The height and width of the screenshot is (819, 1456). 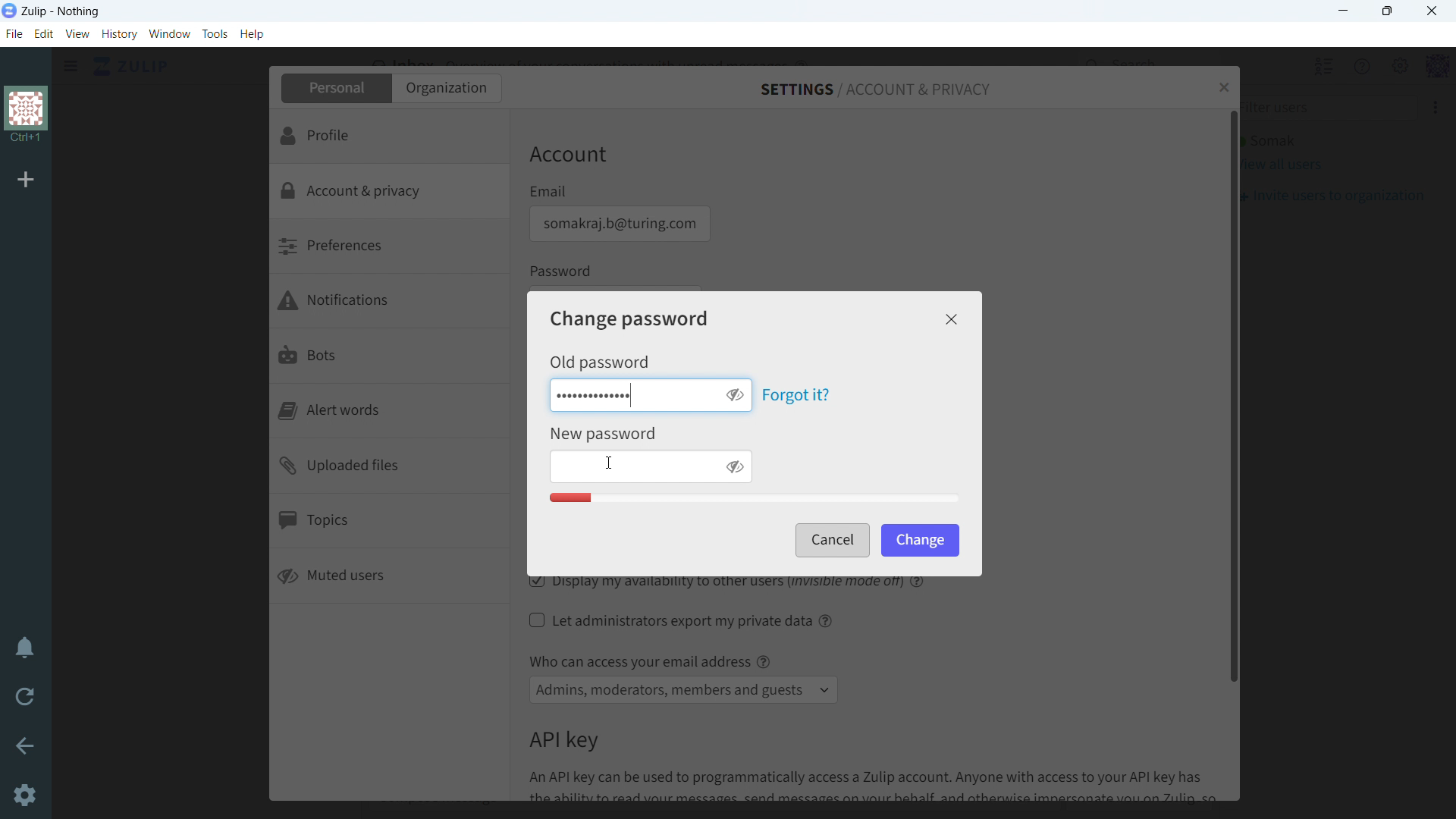 I want to click on help menu, so click(x=1358, y=66).